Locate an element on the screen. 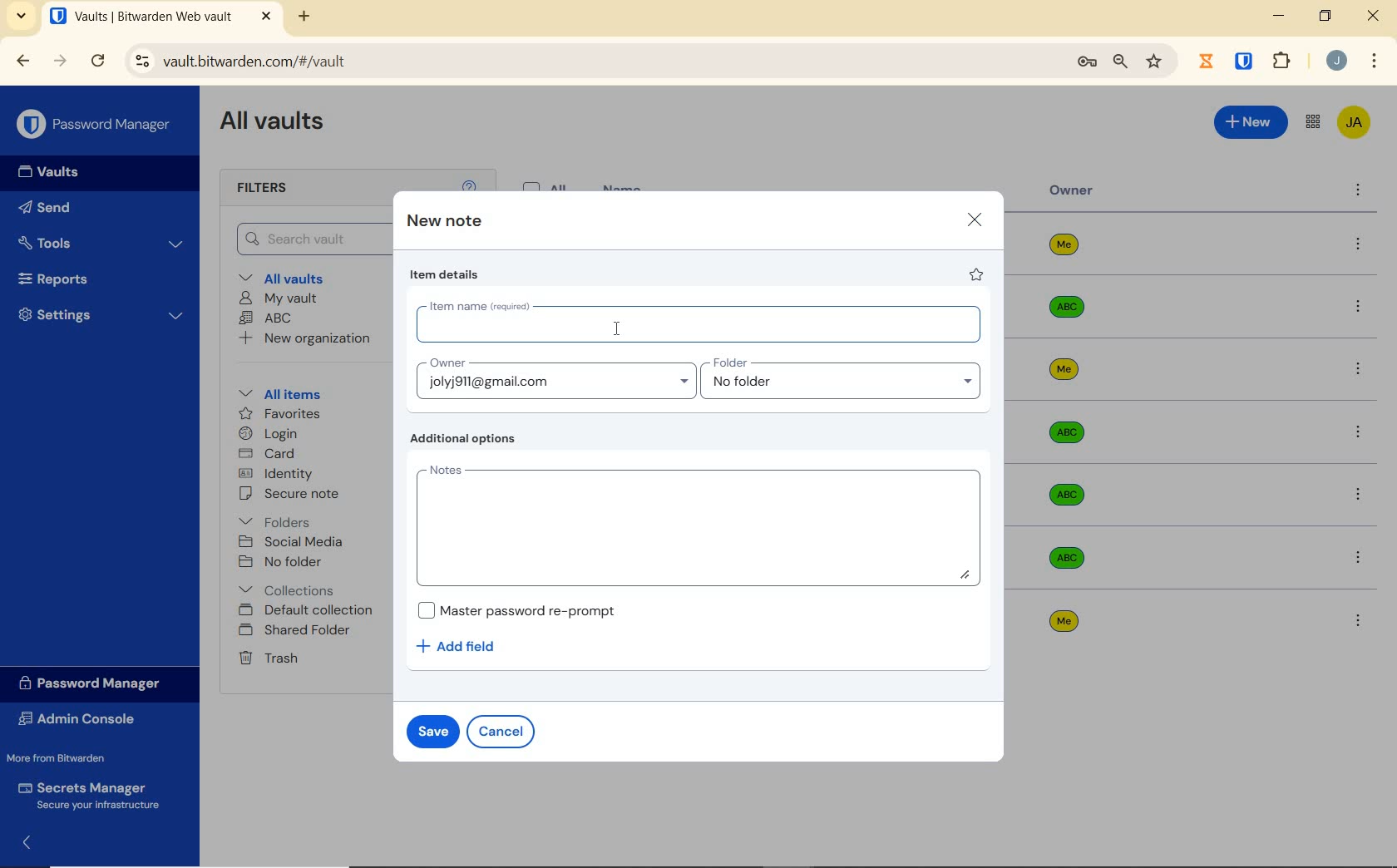  owner is located at coordinates (1072, 192).